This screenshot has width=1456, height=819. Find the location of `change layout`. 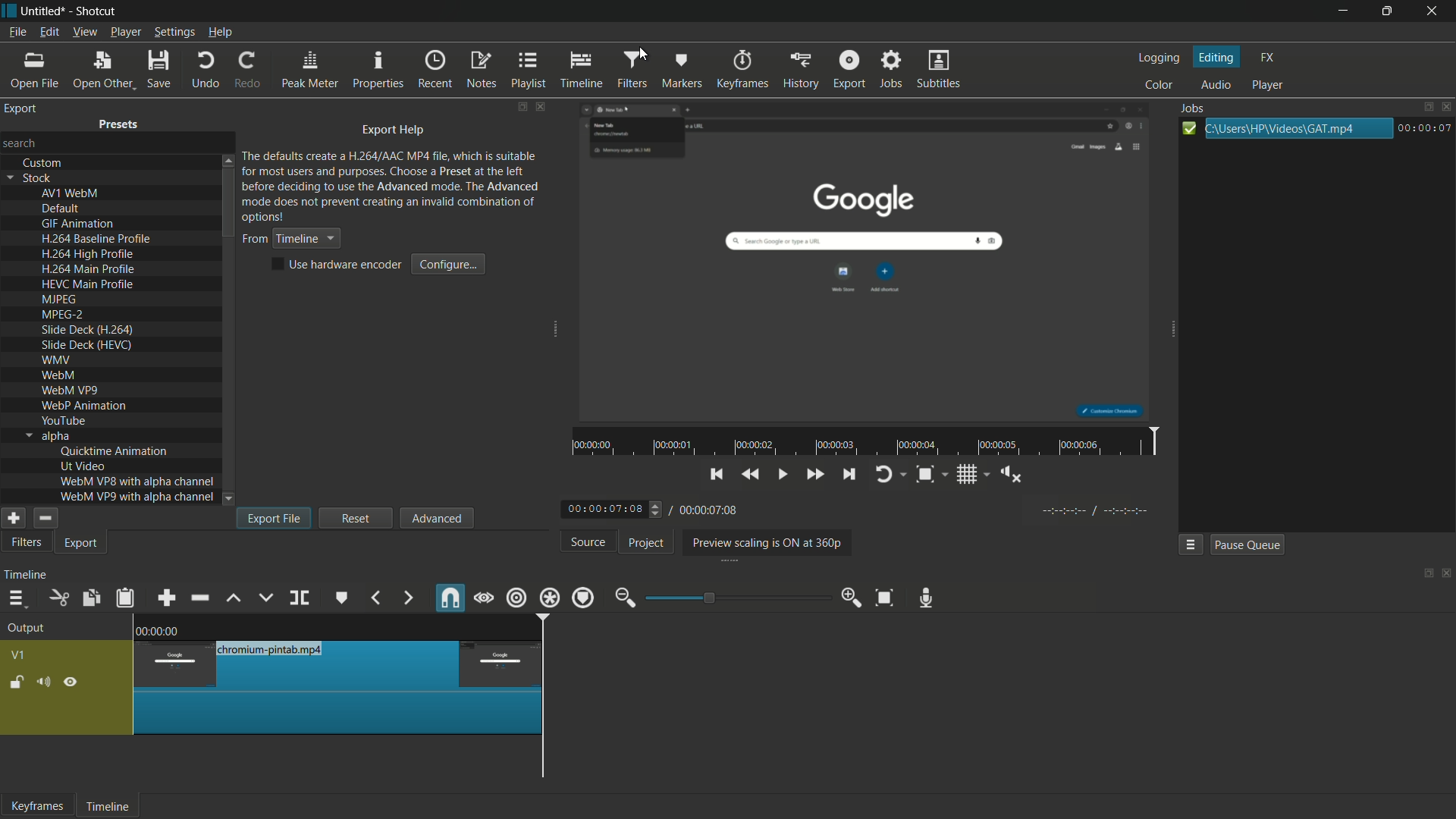

change layout is located at coordinates (1423, 577).